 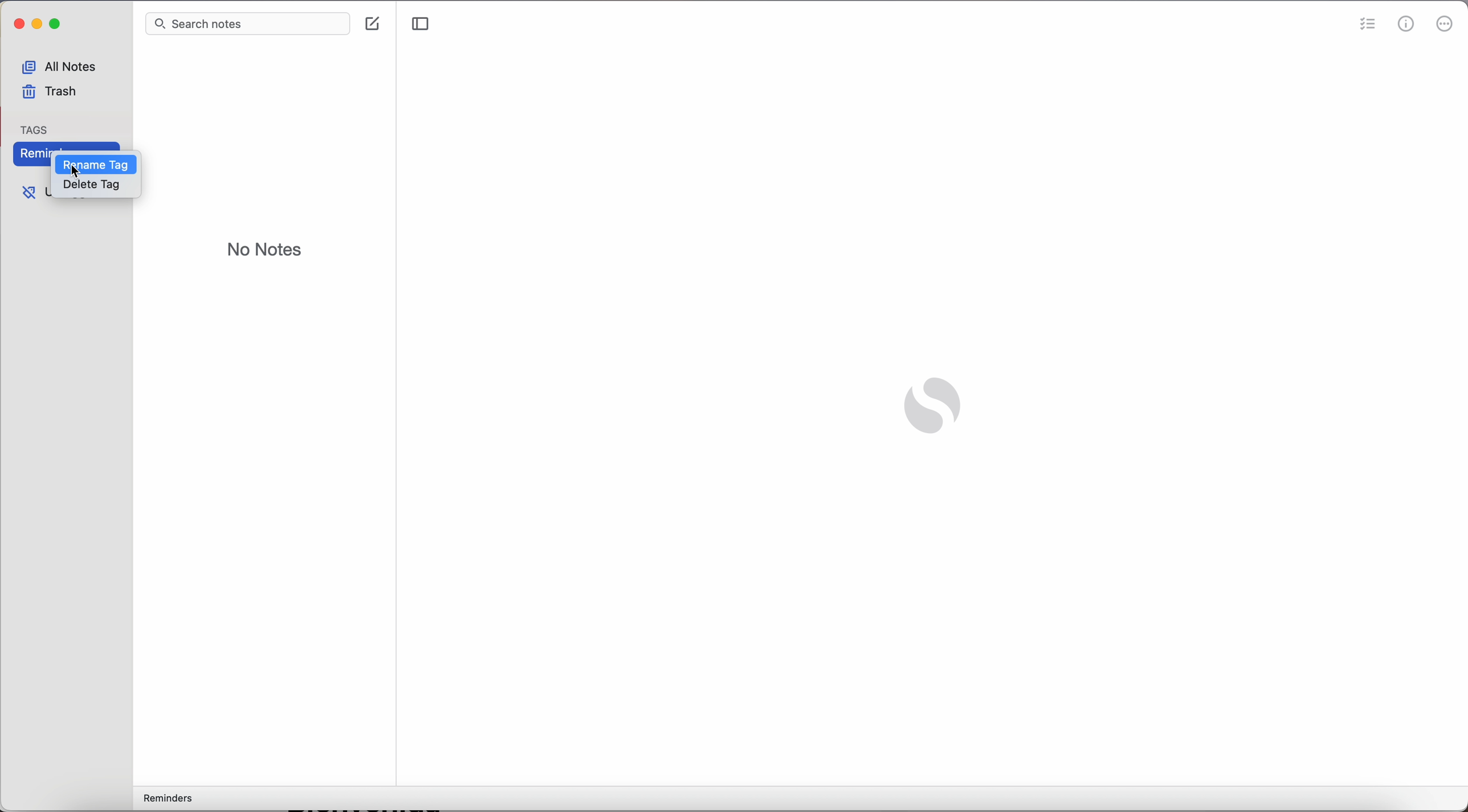 I want to click on Reminders, so click(x=33, y=154).